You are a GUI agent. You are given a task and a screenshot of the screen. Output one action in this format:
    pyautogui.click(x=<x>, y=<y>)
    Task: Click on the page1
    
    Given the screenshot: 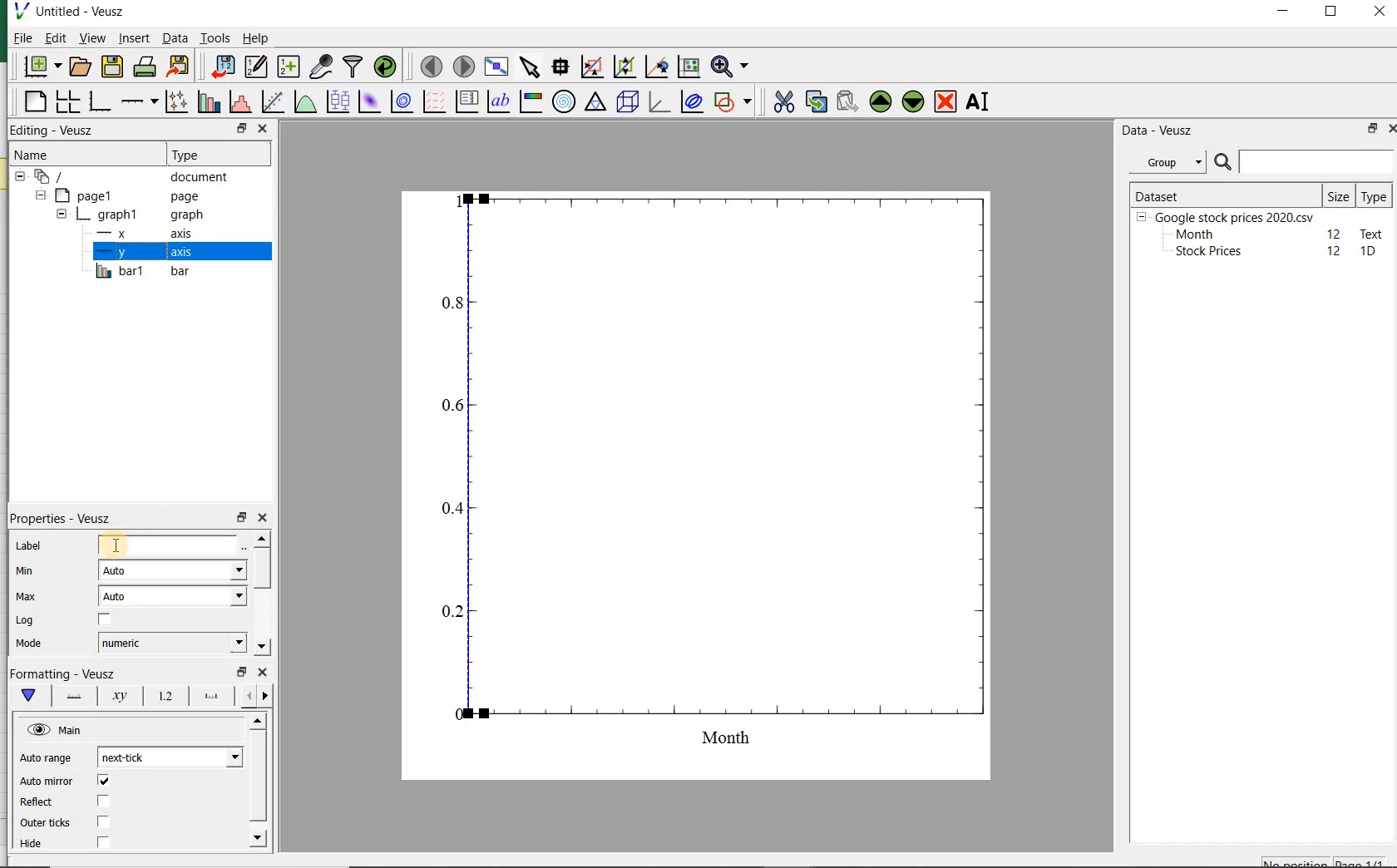 What is the action you would take?
    pyautogui.click(x=121, y=196)
    